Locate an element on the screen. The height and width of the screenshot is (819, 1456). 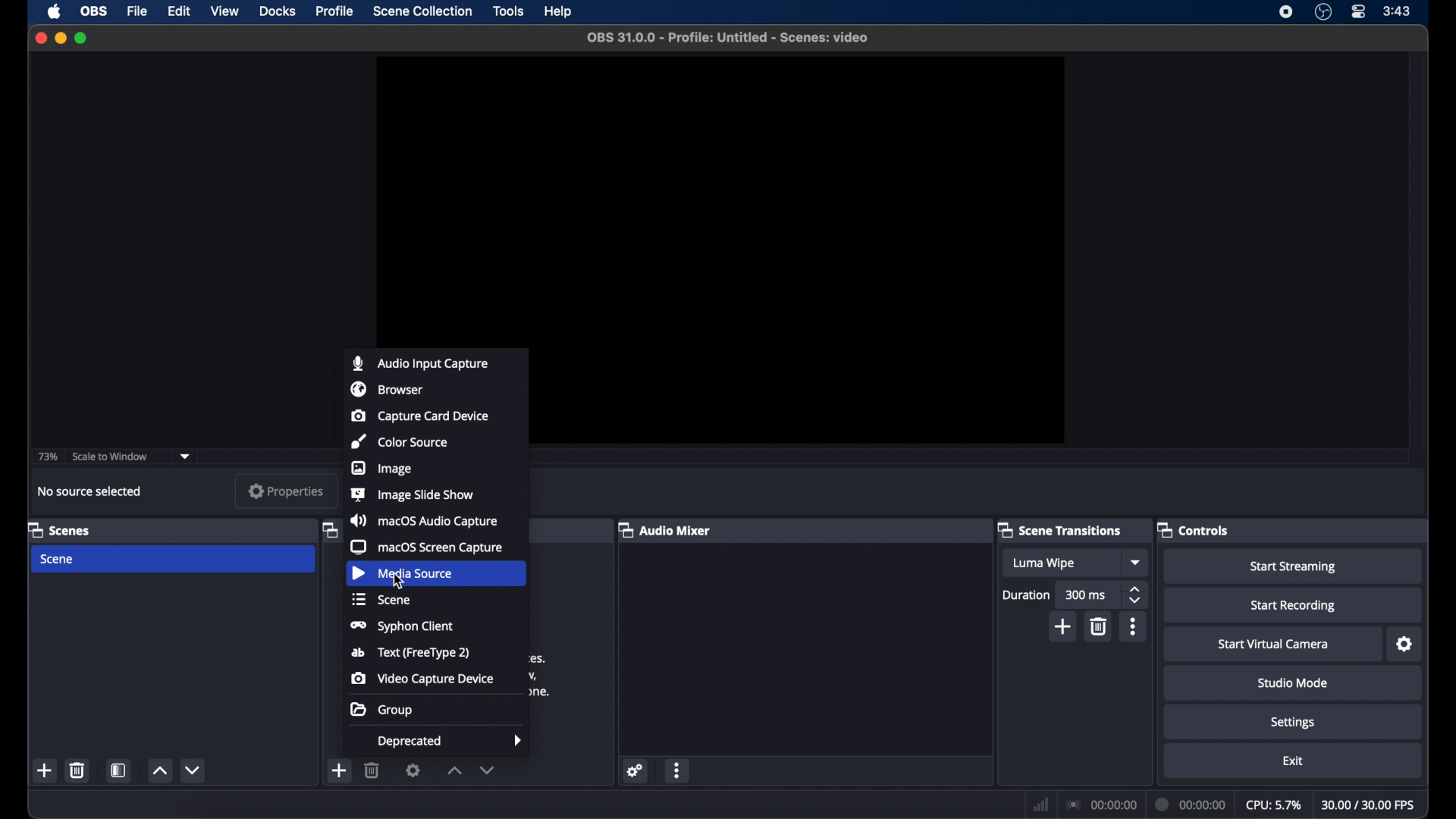
scene collection is located at coordinates (422, 11).